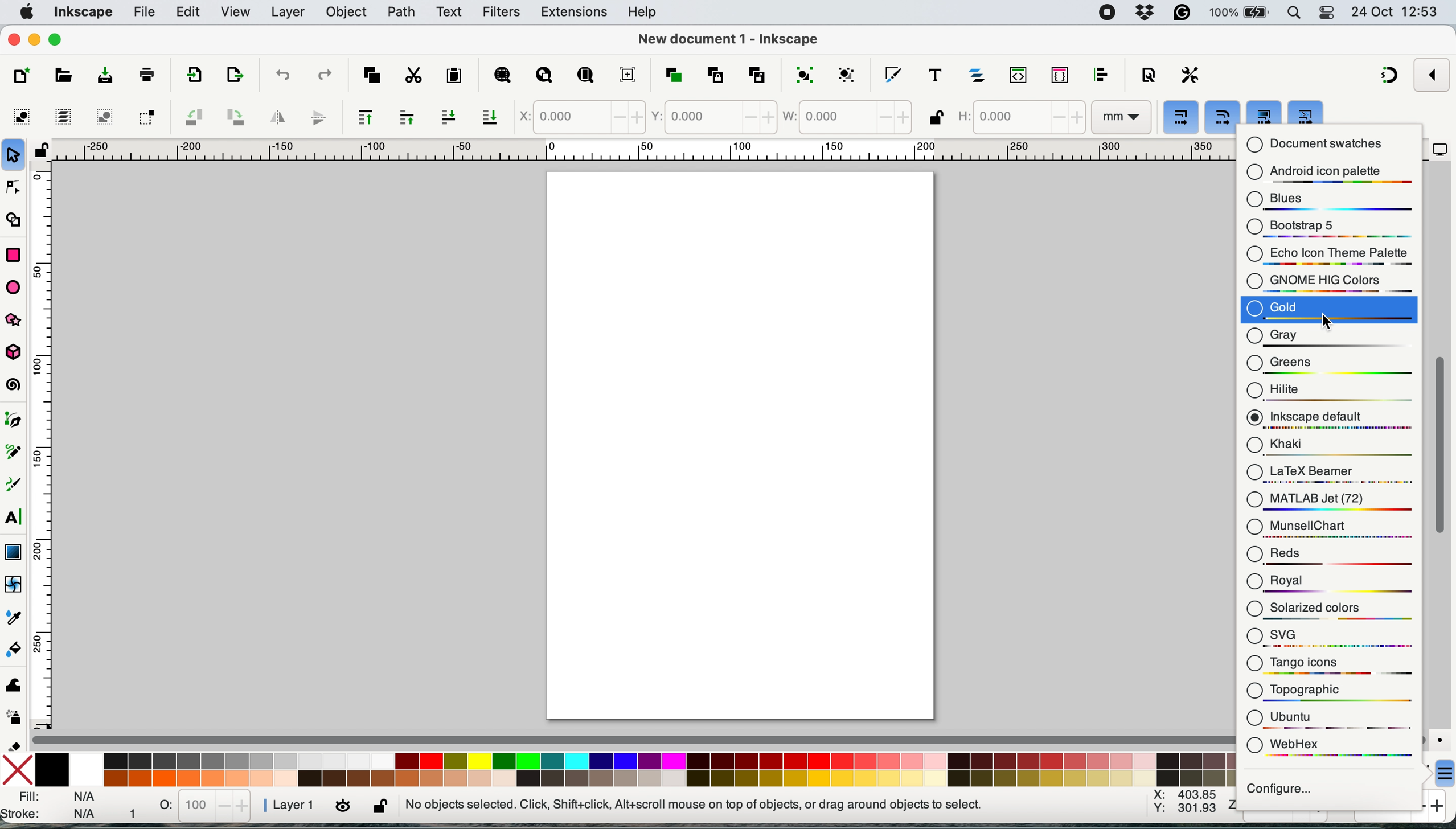  Describe the element at coordinates (715, 117) in the screenshot. I see `y coordinate` at that location.